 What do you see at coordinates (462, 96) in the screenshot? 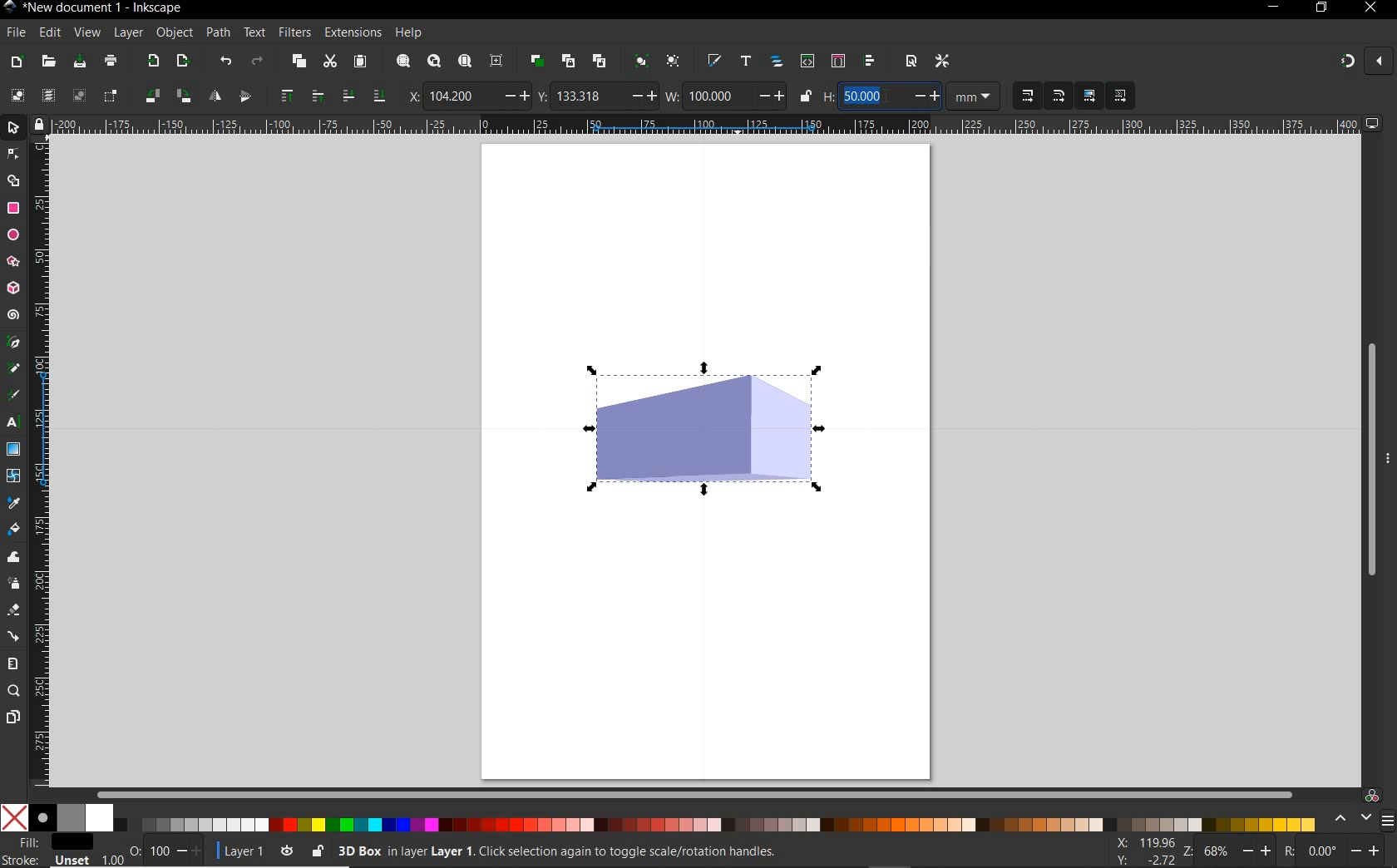
I see `104` at bounding box center [462, 96].